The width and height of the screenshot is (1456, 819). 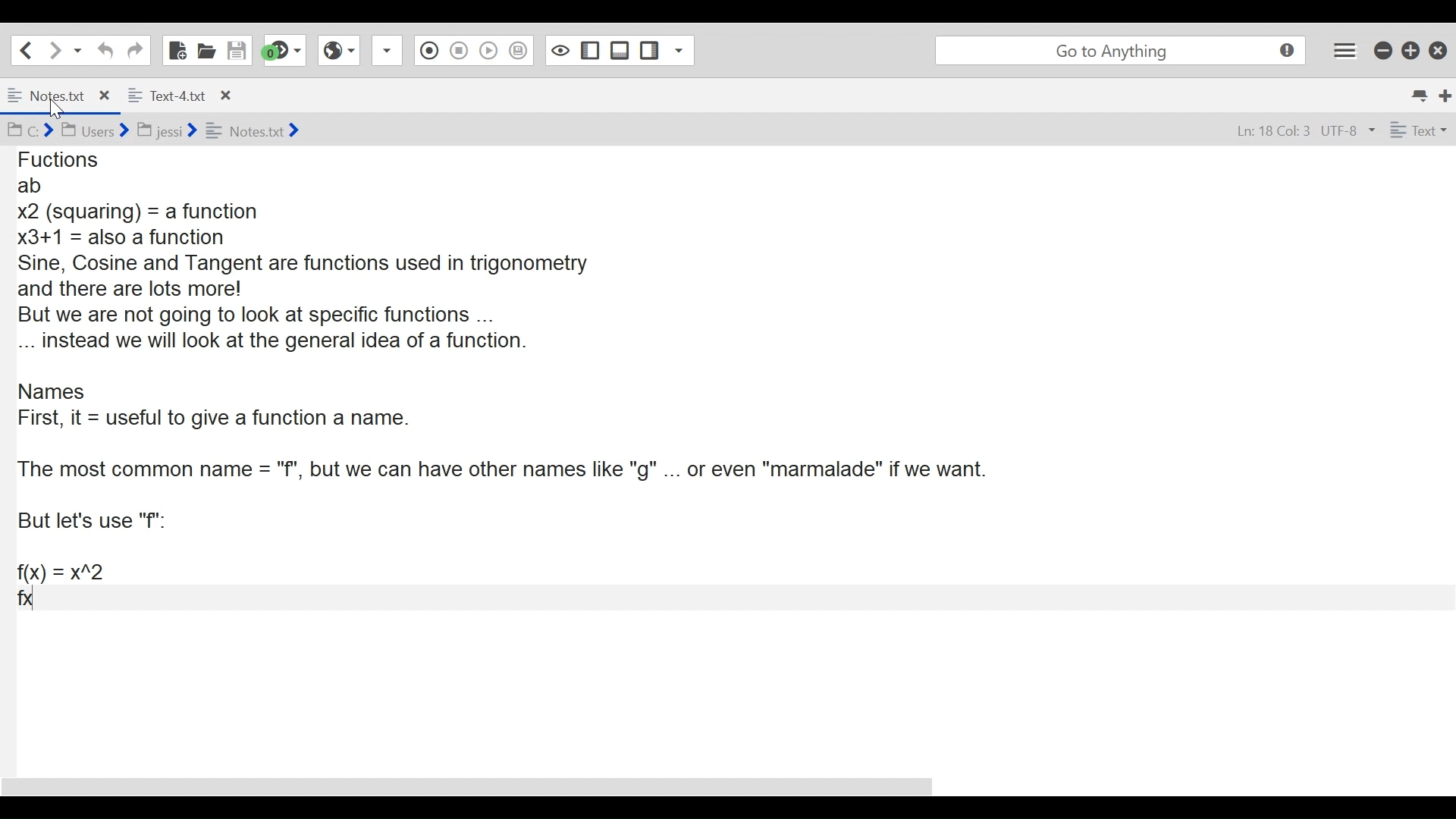 What do you see at coordinates (1269, 132) in the screenshot?
I see `ln: 1 col:6` at bounding box center [1269, 132].